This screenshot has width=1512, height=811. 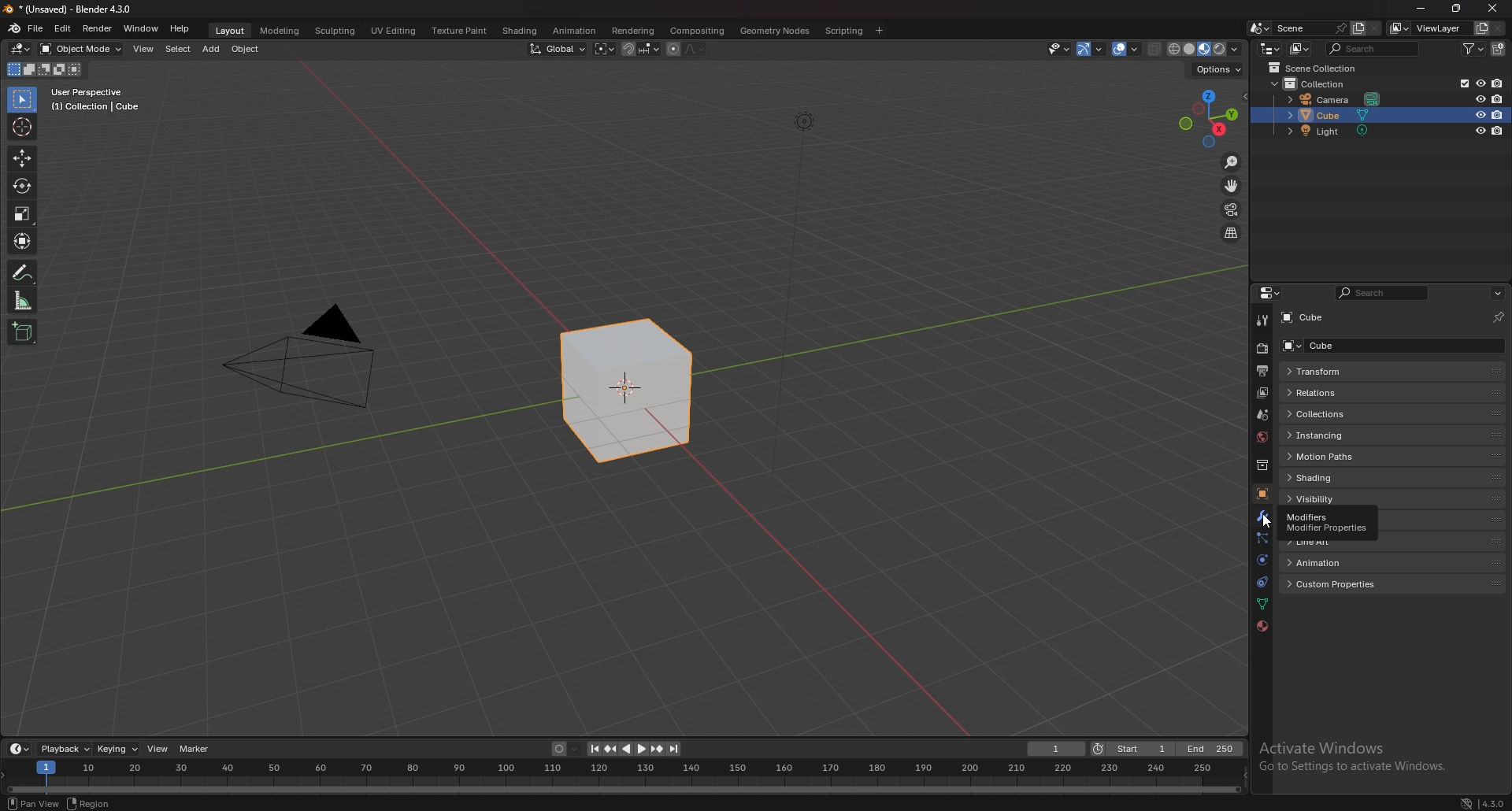 What do you see at coordinates (699, 31) in the screenshot?
I see `compositing` at bounding box center [699, 31].